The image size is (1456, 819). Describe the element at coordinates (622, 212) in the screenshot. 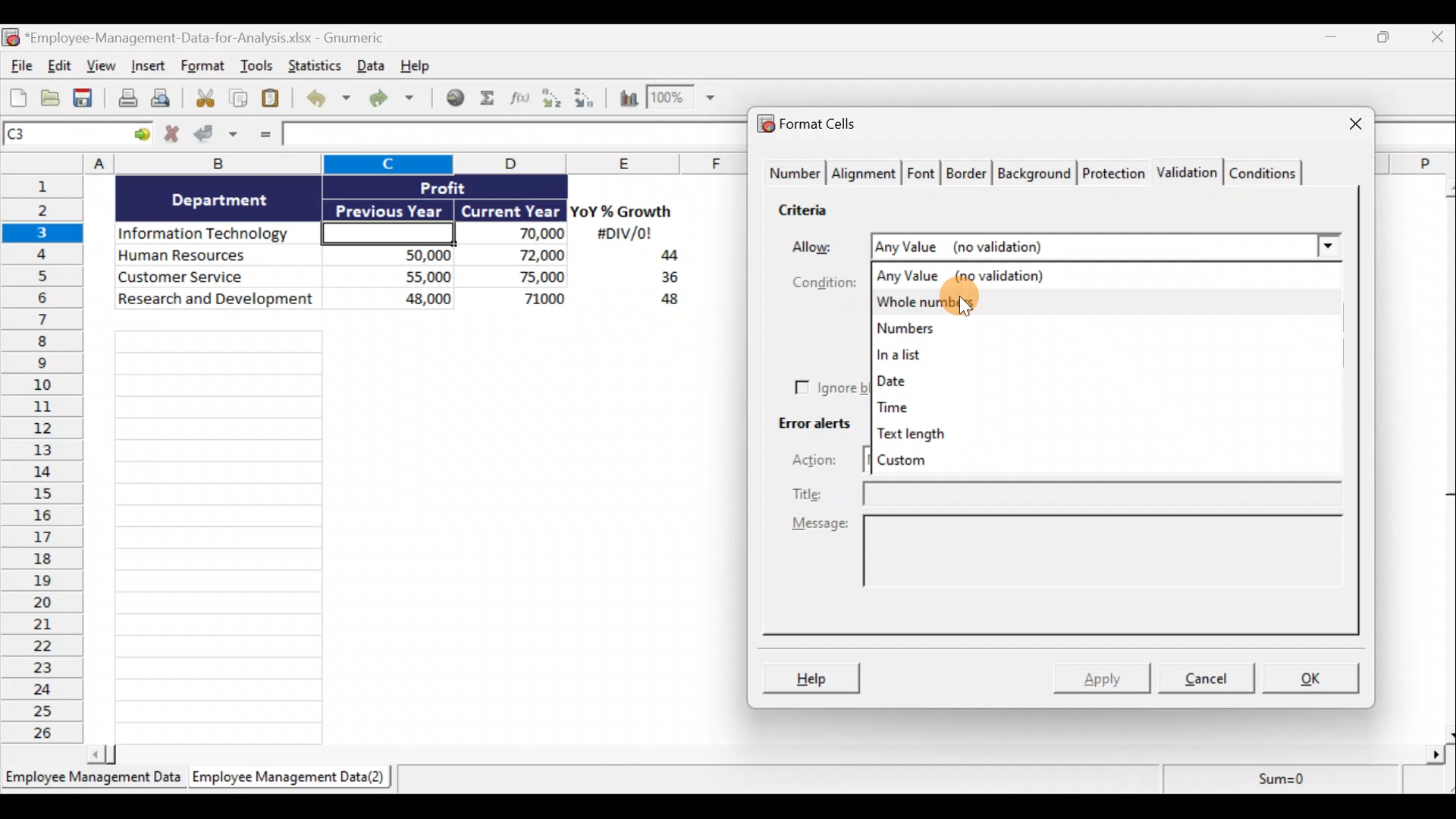

I see `YoY% Growth` at that location.